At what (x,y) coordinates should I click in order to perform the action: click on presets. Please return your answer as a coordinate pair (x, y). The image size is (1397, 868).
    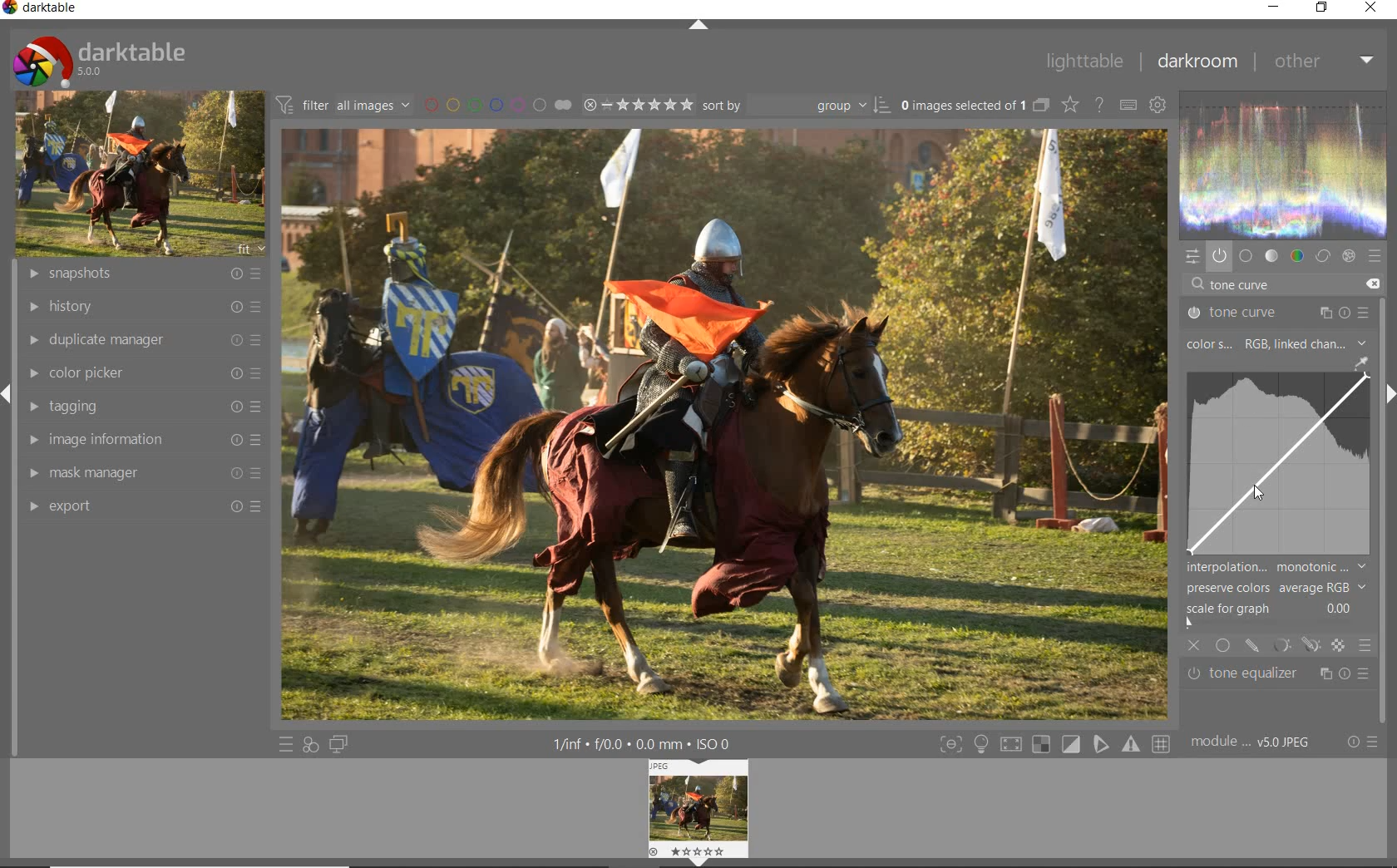
    Looking at the image, I should click on (1375, 257).